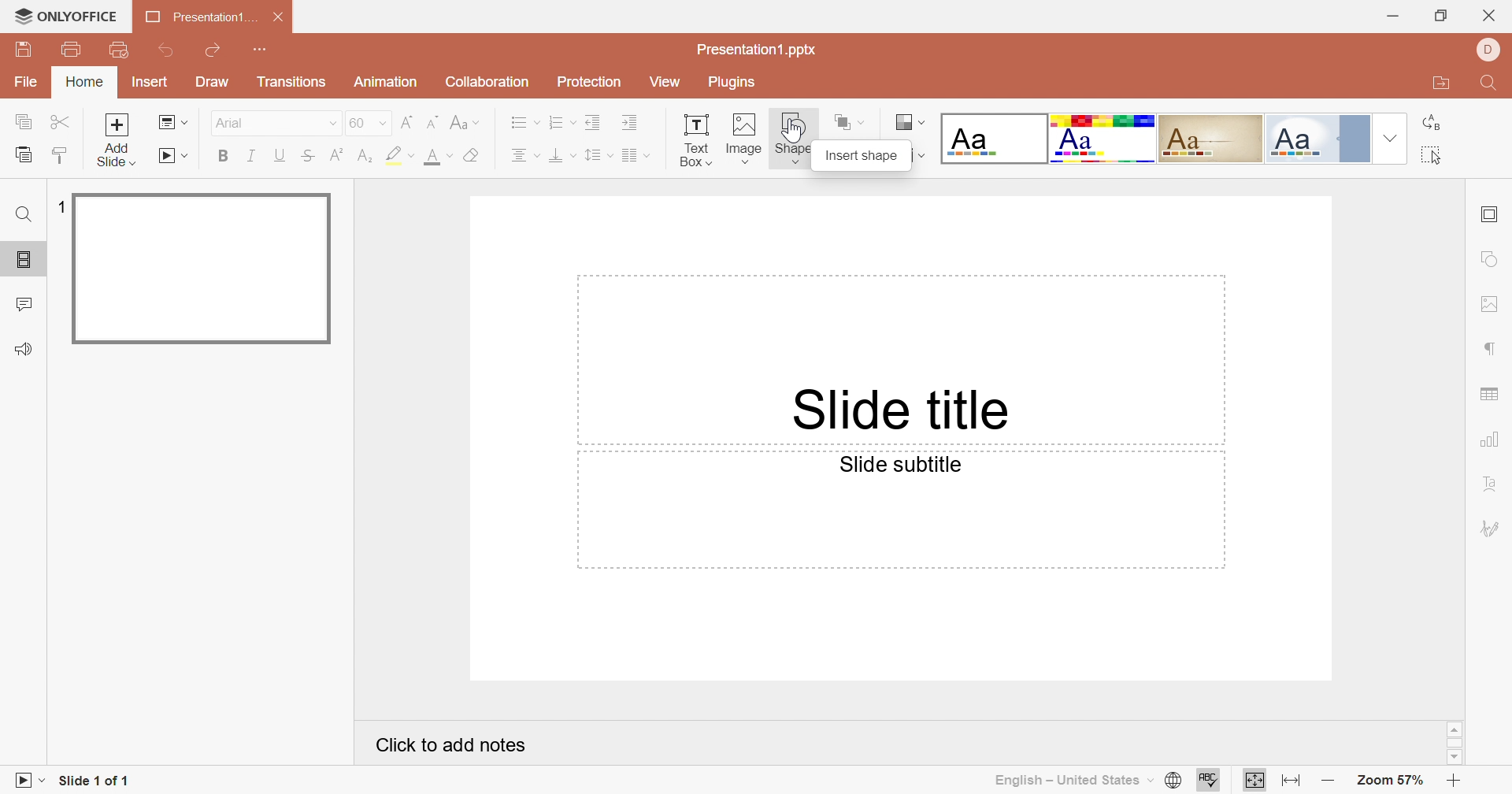 The width and height of the screenshot is (1512, 794). I want to click on Close, so click(282, 17).